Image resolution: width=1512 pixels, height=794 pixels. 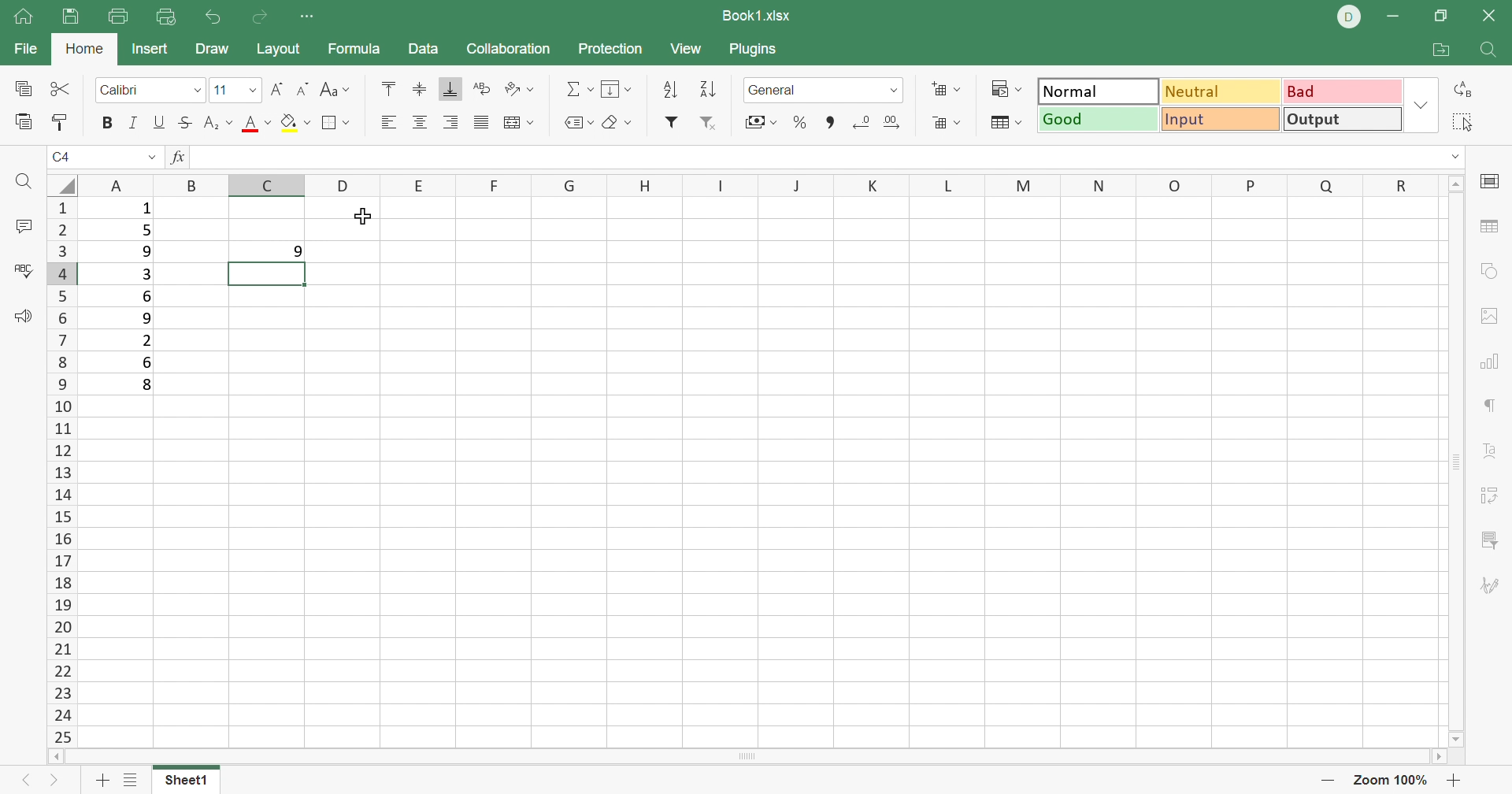 What do you see at coordinates (388, 91) in the screenshot?
I see `Align Top` at bounding box center [388, 91].